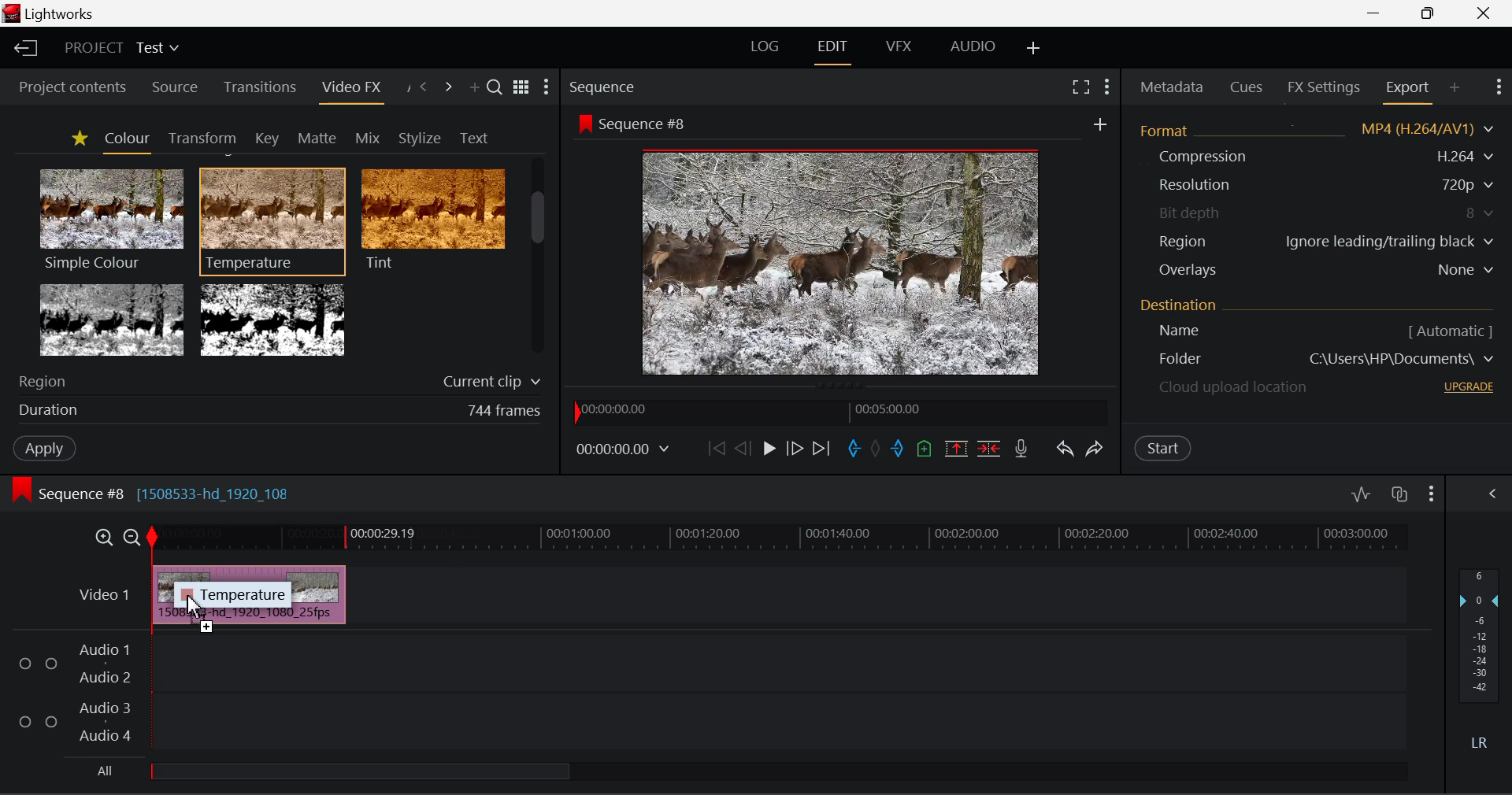  I want to click on Remove marked section, so click(954, 449).